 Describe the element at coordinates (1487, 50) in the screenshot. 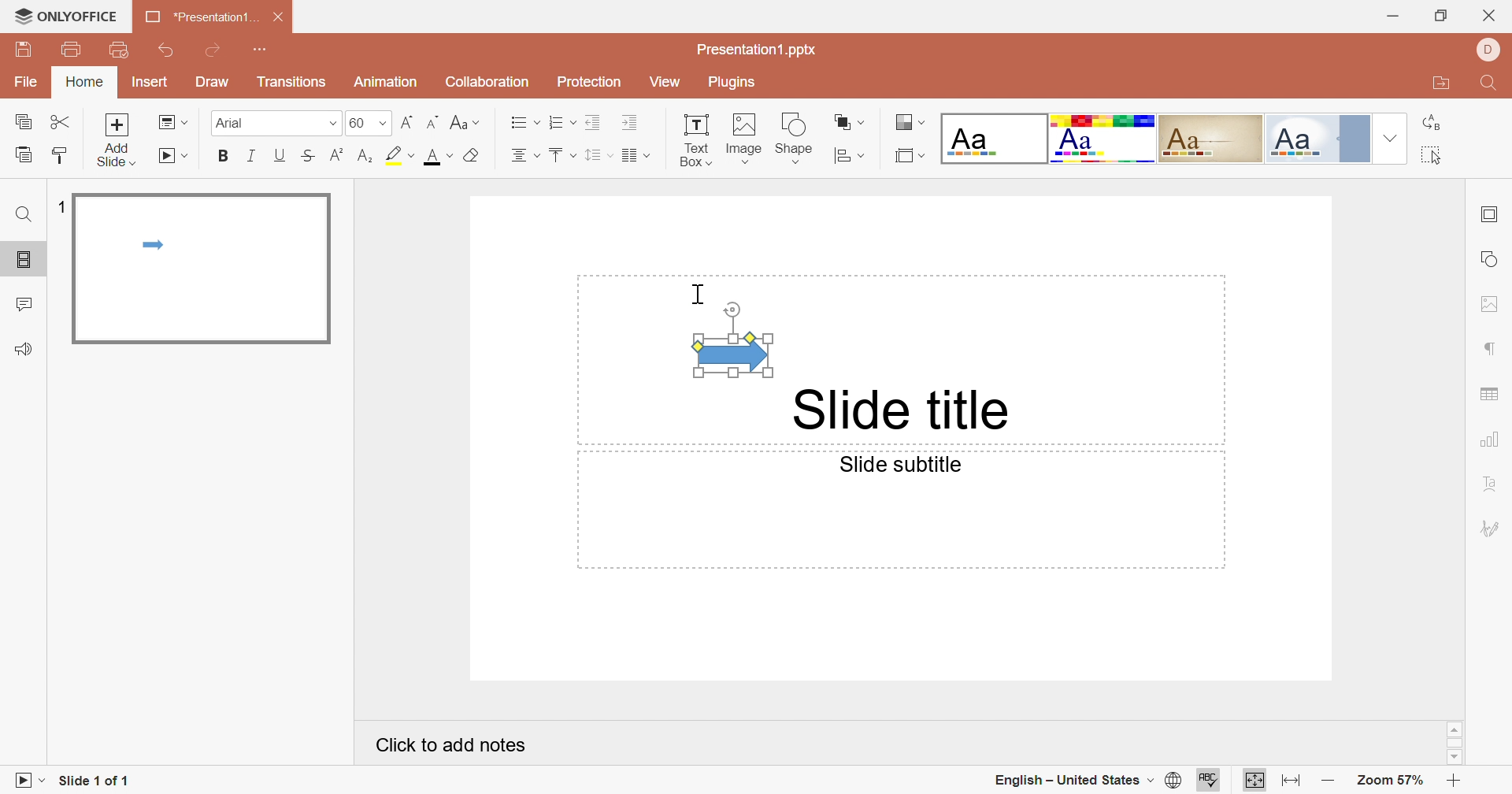

I see `DELL` at that location.